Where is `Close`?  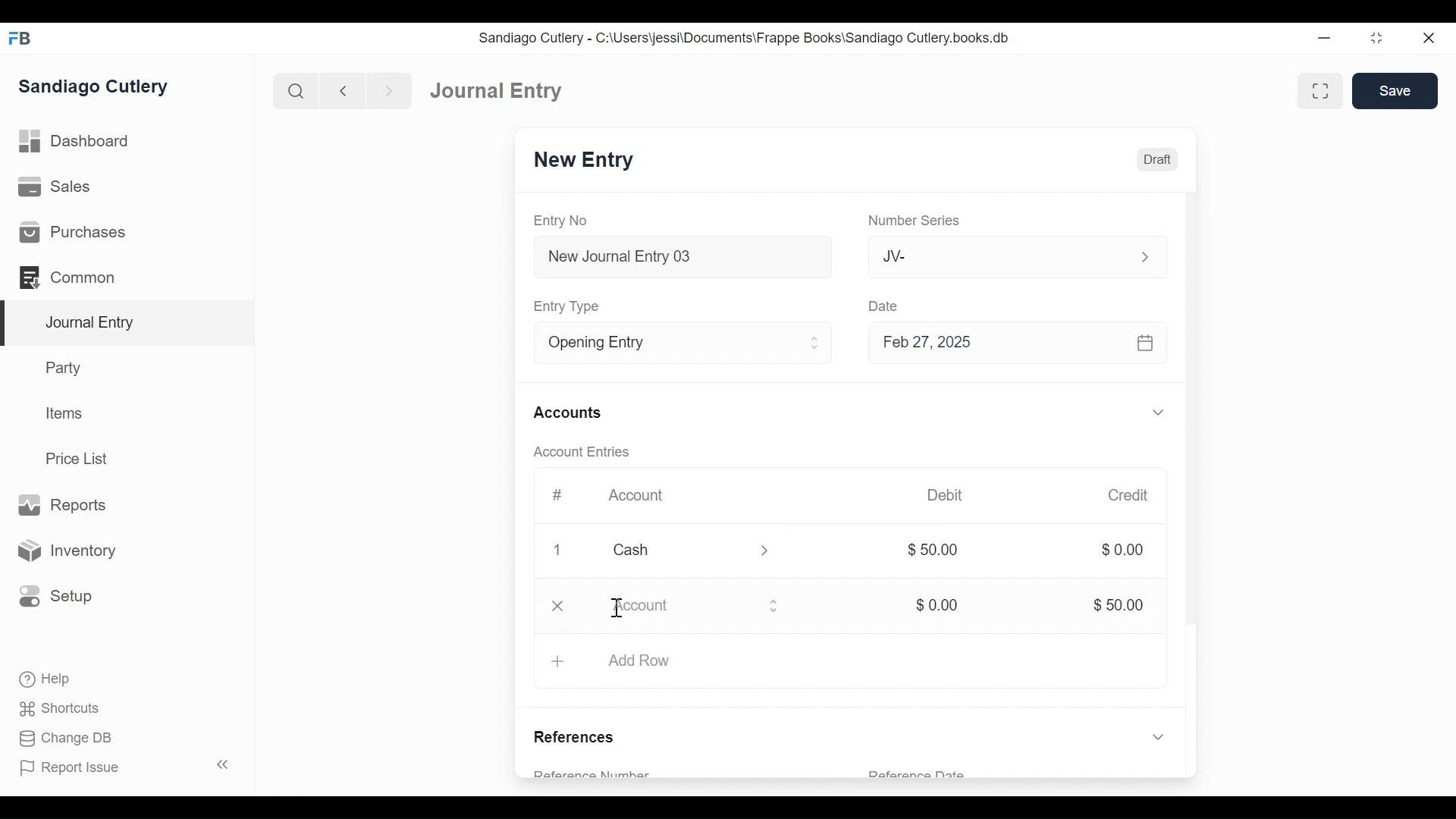
Close is located at coordinates (557, 606).